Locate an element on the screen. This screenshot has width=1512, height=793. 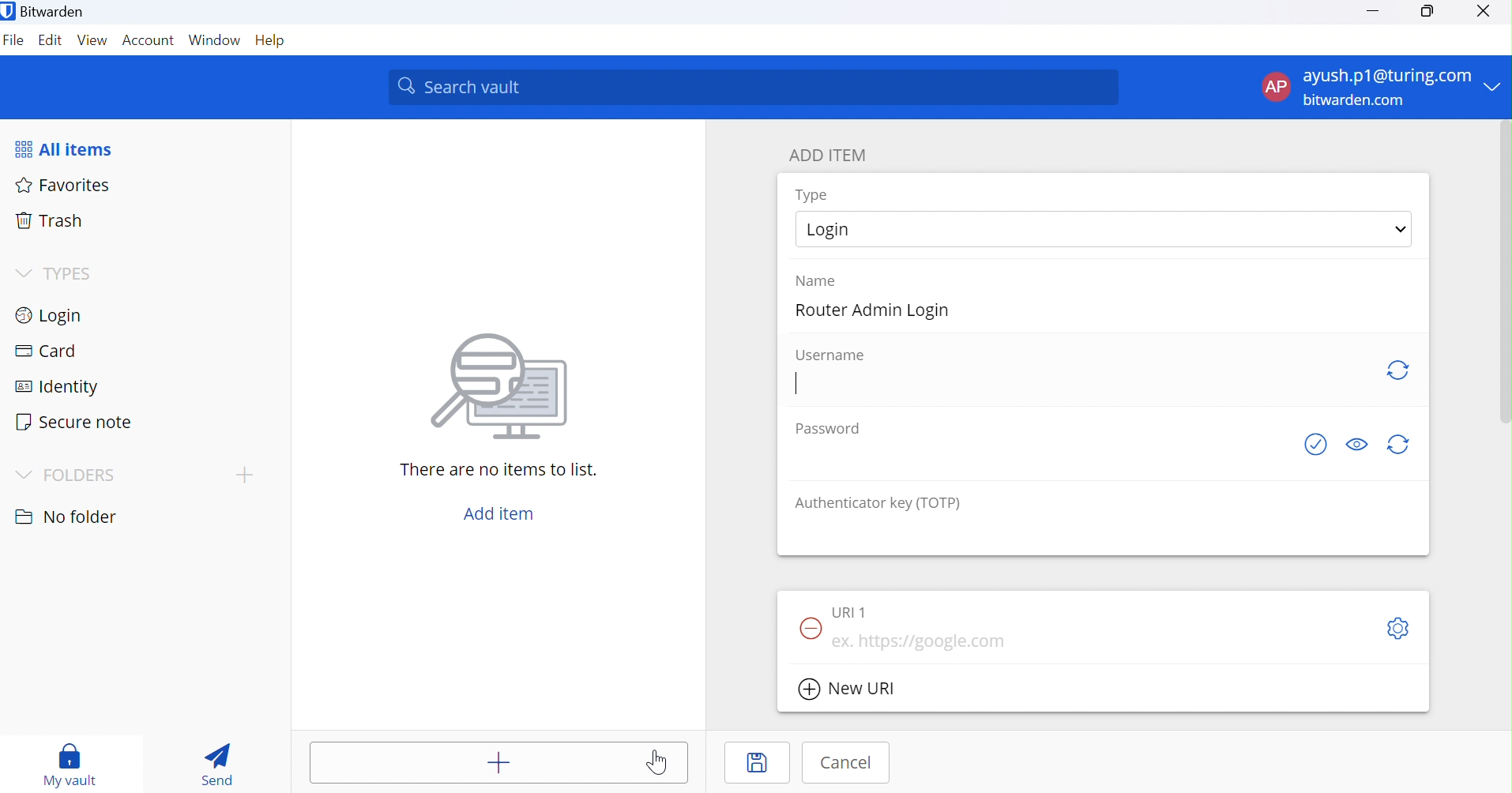
add name is located at coordinates (1102, 312).